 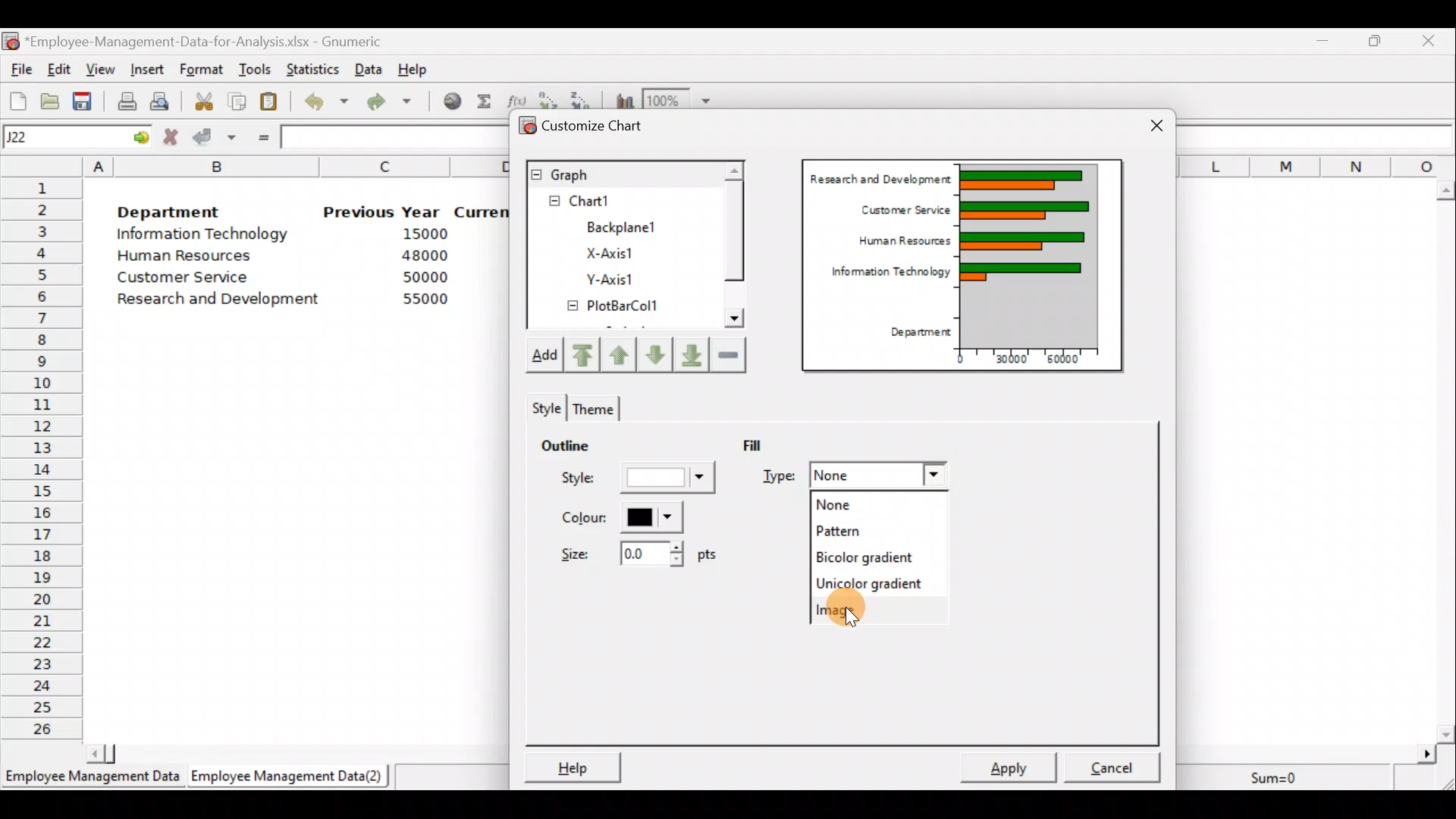 I want to click on Employee Management Data (2), so click(x=290, y=777).